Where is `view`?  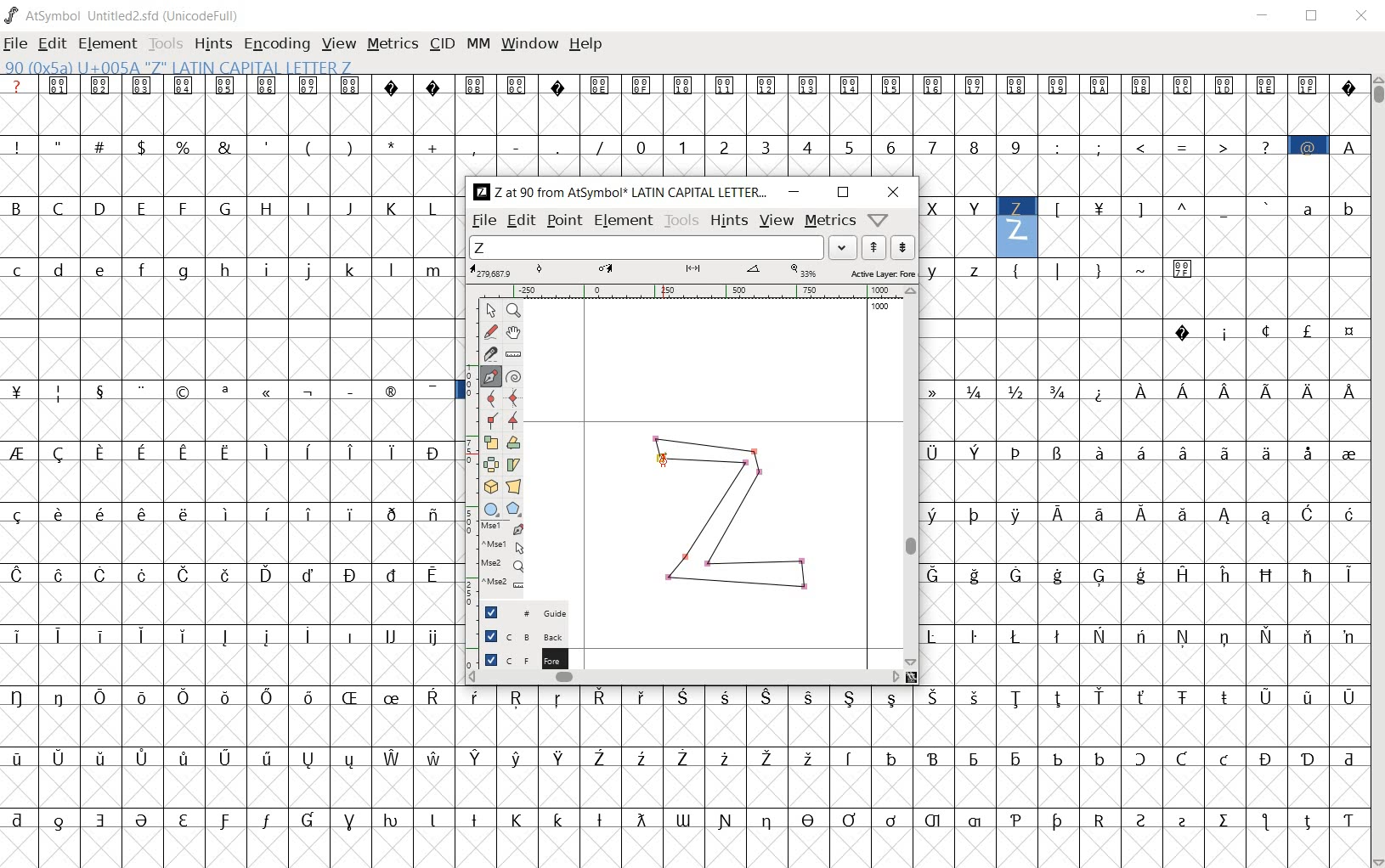 view is located at coordinates (340, 43).